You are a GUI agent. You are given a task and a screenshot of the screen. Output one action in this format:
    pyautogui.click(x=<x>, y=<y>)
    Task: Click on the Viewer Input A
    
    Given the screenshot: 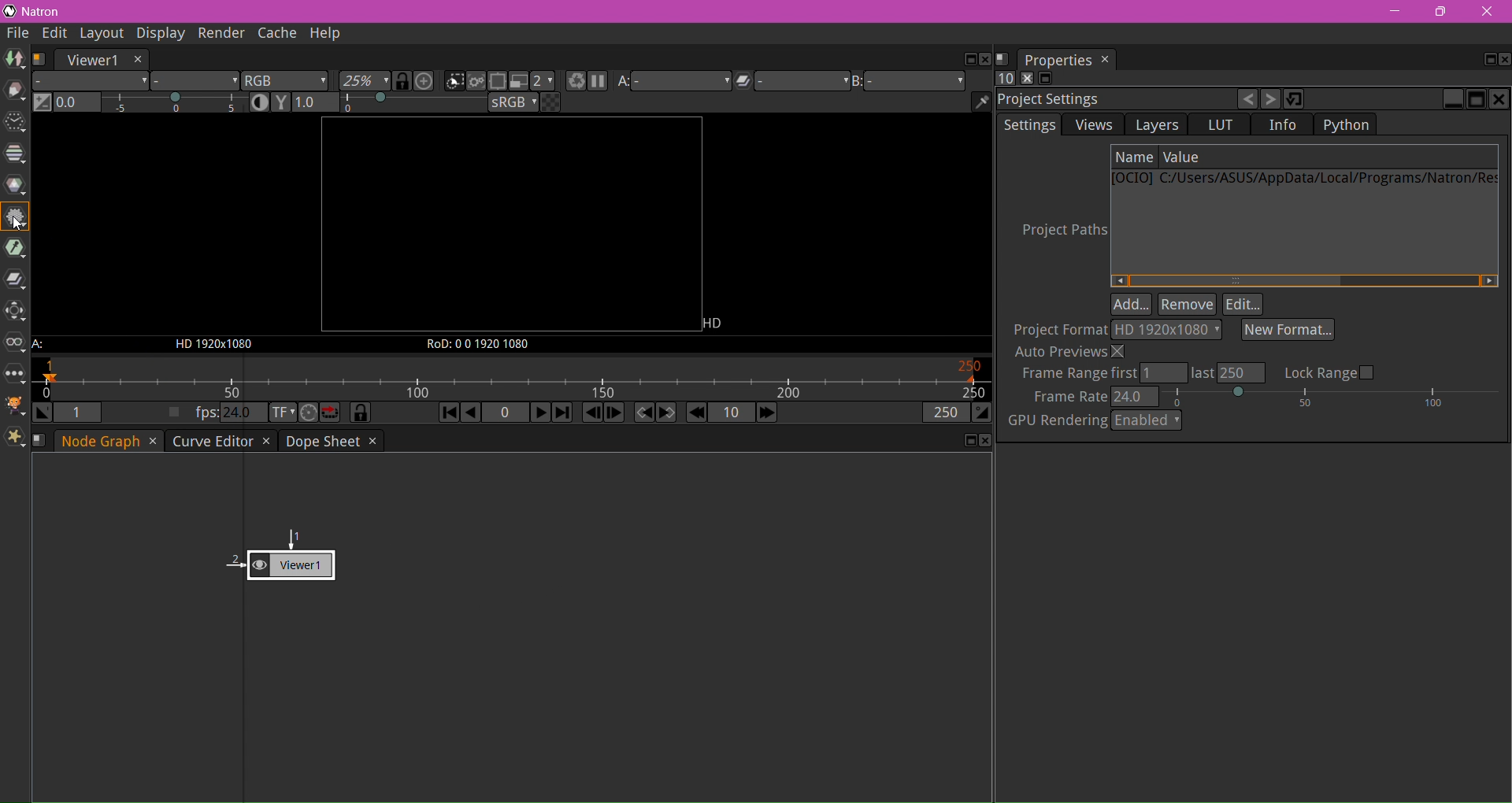 What is the action you would take?
    pyautogui.click(x=46, y=346)
    